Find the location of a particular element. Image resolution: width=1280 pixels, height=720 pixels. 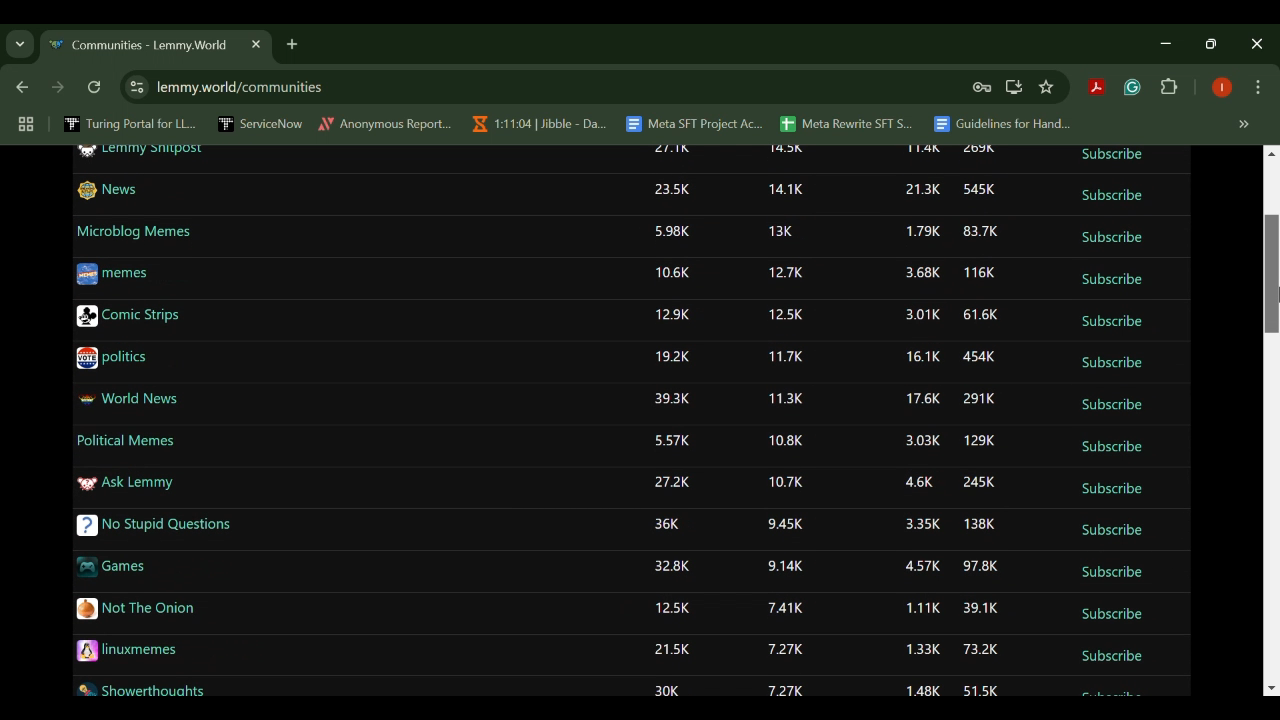

ServiceNow is located at coordinates (261, 123).